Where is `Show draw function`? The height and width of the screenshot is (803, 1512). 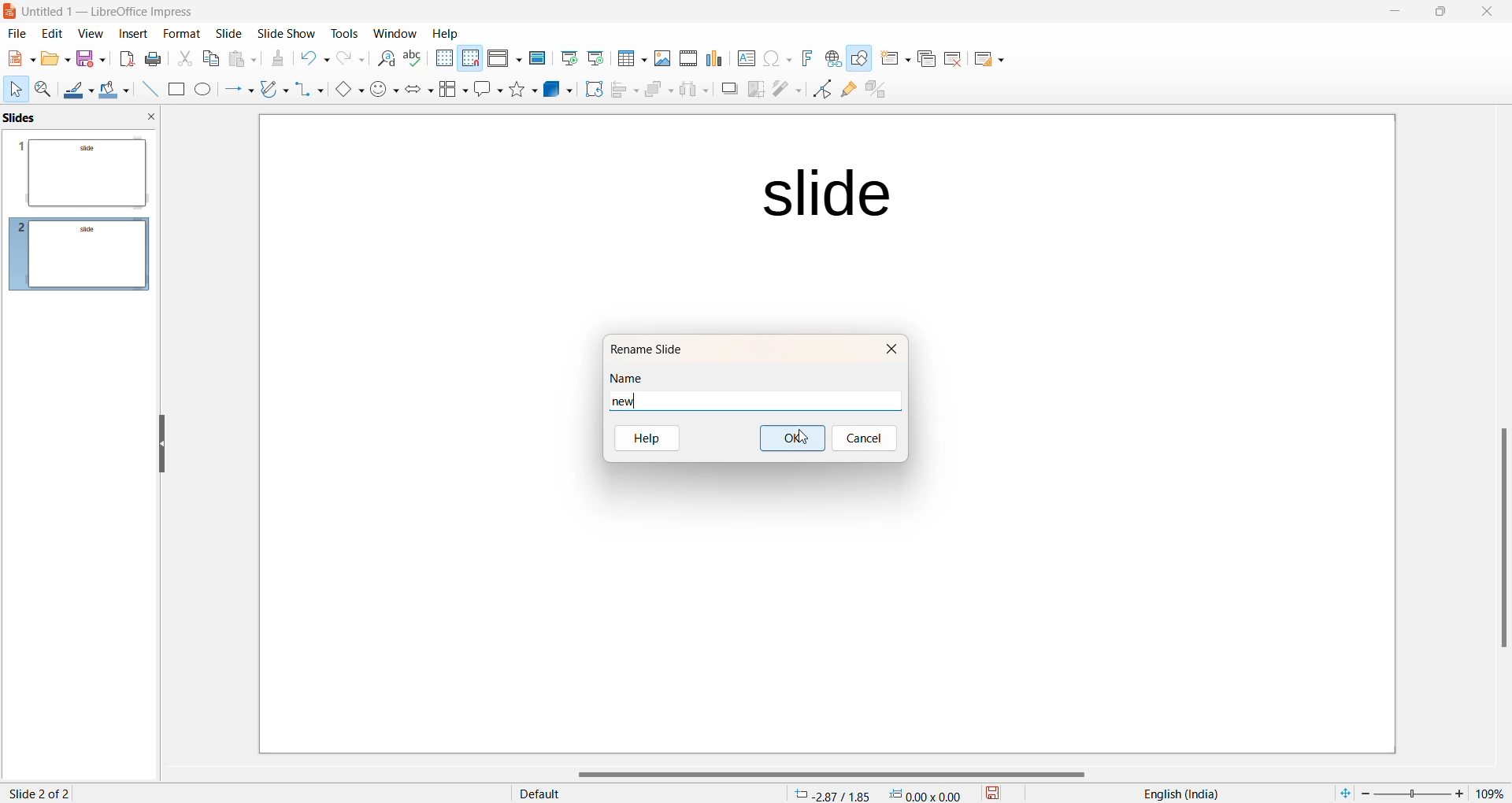
Show draw function is located at coordinates (859, 60).